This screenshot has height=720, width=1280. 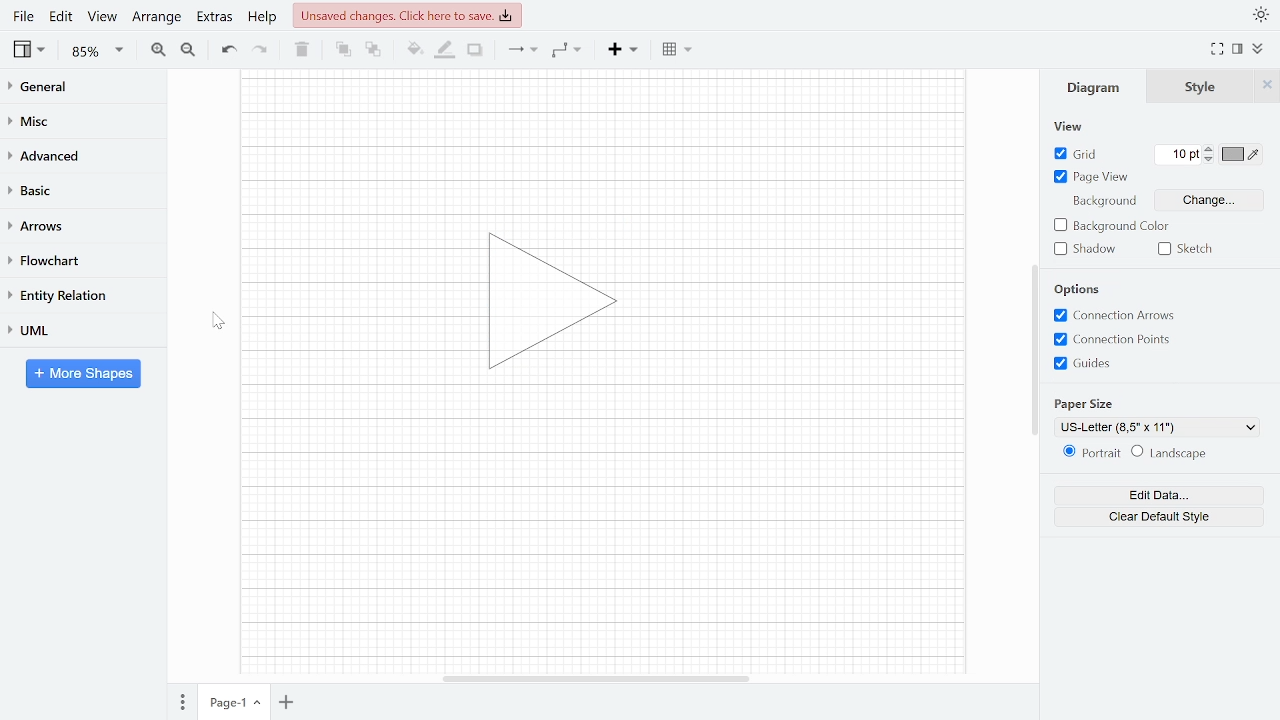 What do you see at coordinates (264, 16) in the screenshot?
I see `help` at bounding box center [264, 16].